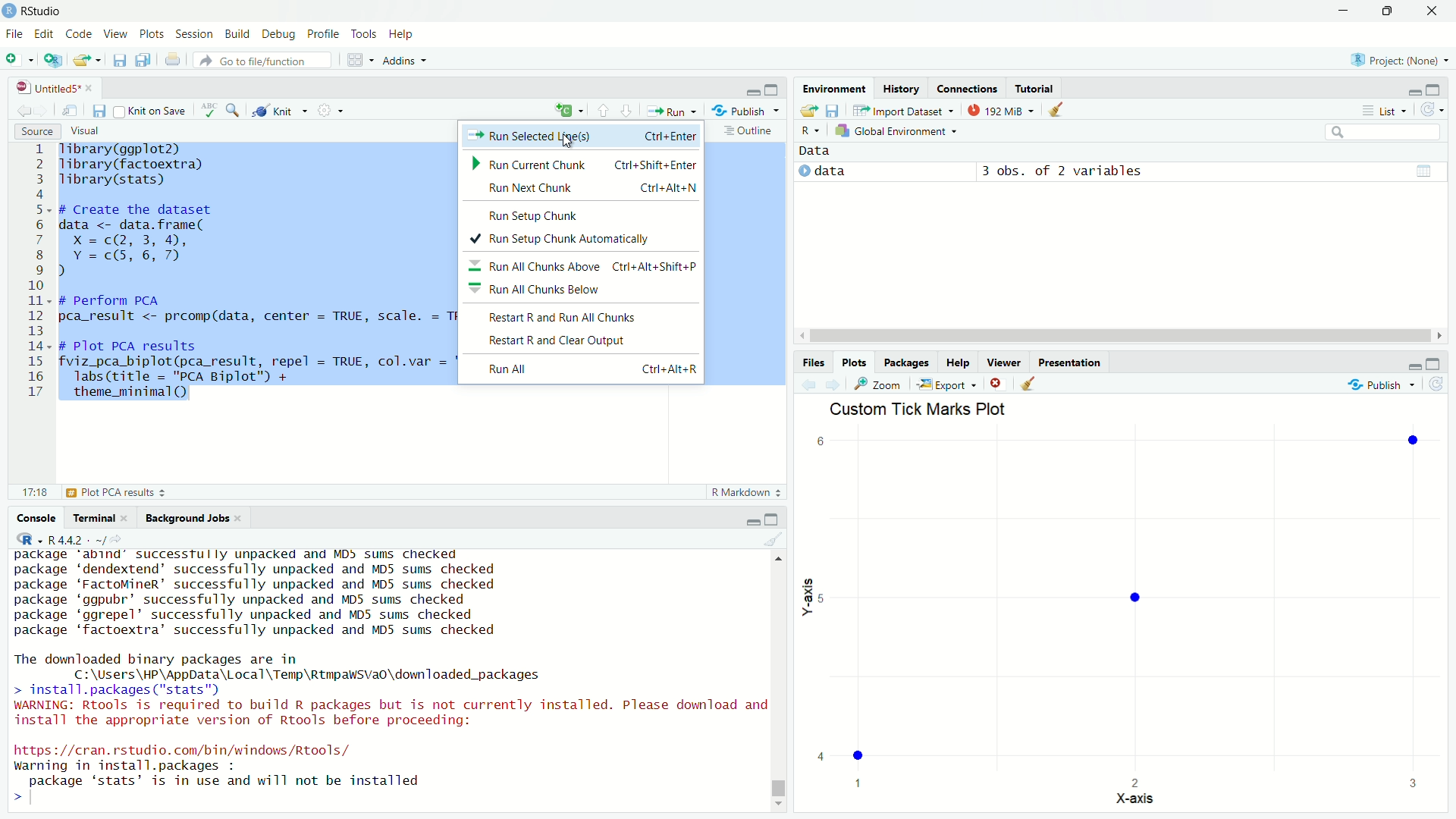 Image resolution: width=1456 pixels, height=819 pixels. Describe the element at coordinates (80, 35) in the screenshot. I see `Code` at that location.